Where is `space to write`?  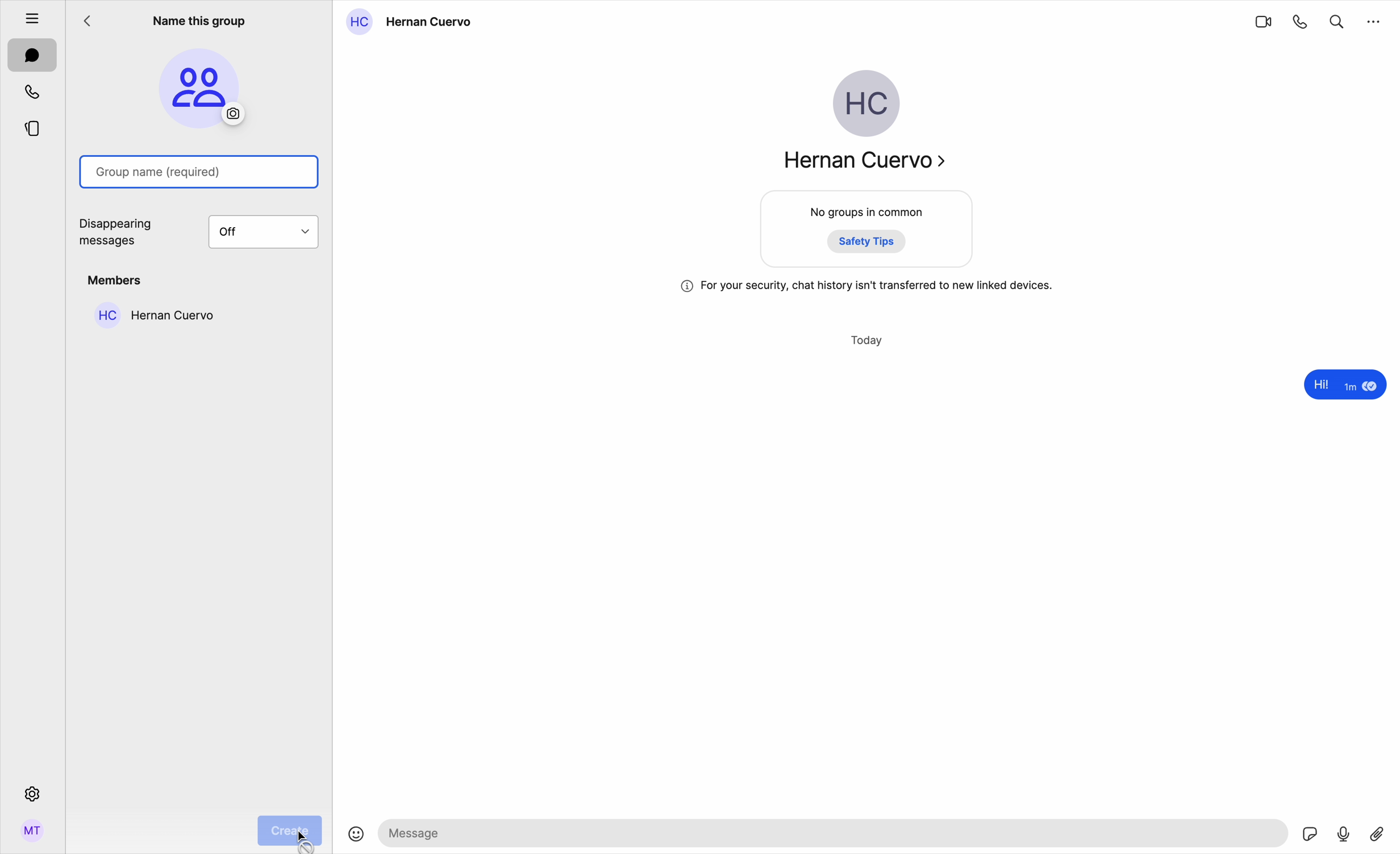
space to write is located at coordinates (836, 832).